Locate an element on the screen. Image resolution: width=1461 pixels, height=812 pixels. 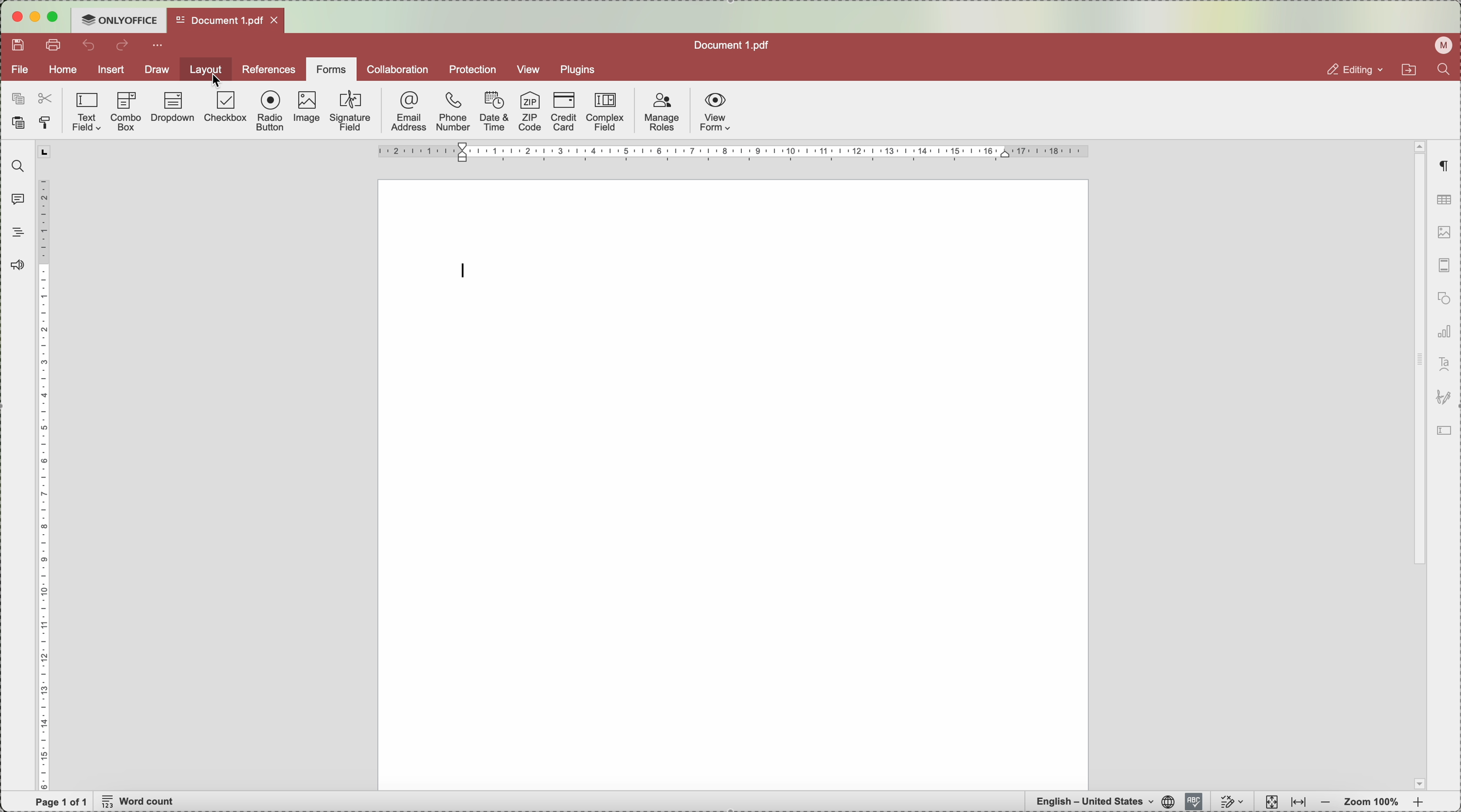
workspace is located at coordinates (734, 484).